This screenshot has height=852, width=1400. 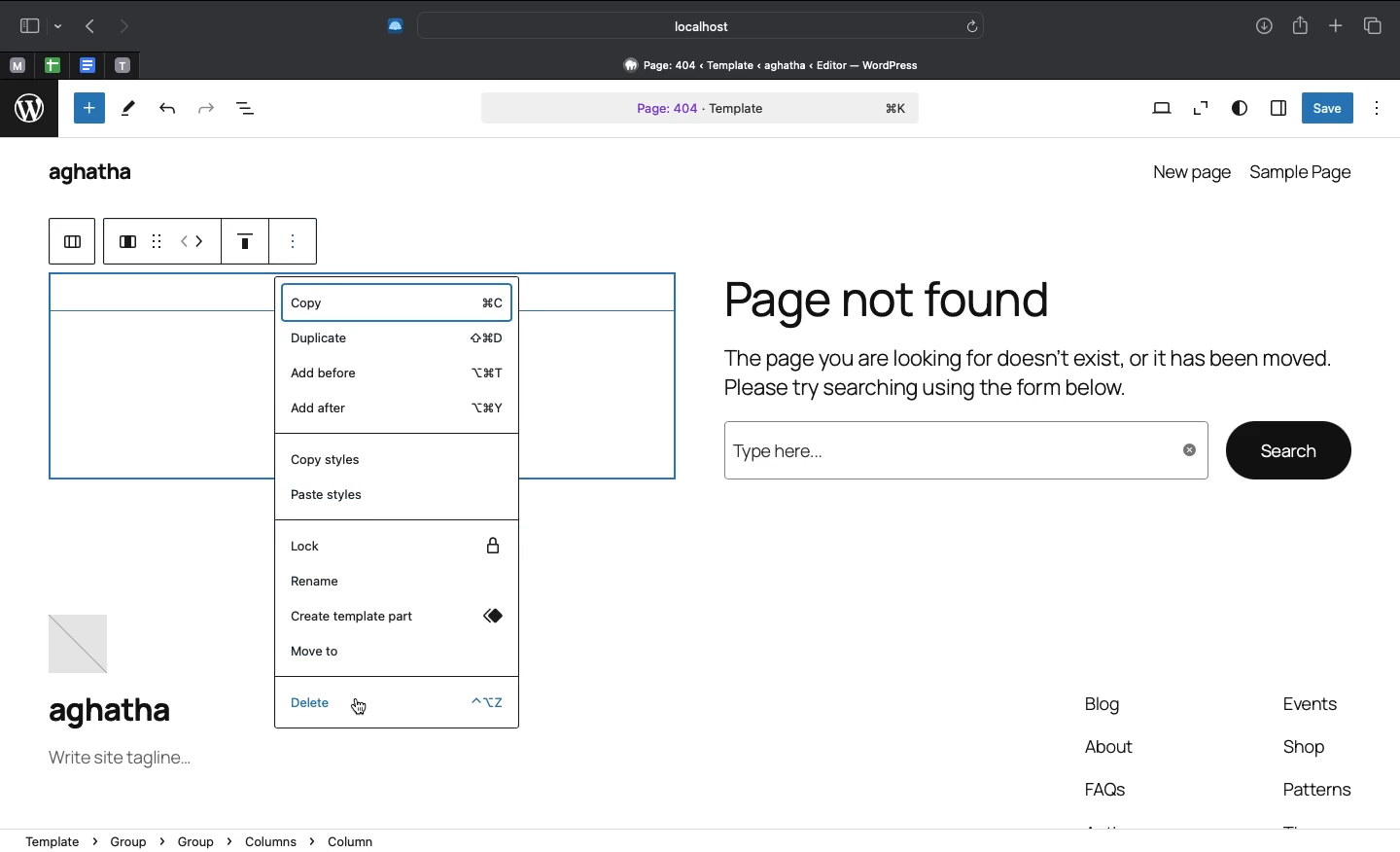 I want to click on Name, so click(x=114, y=710).